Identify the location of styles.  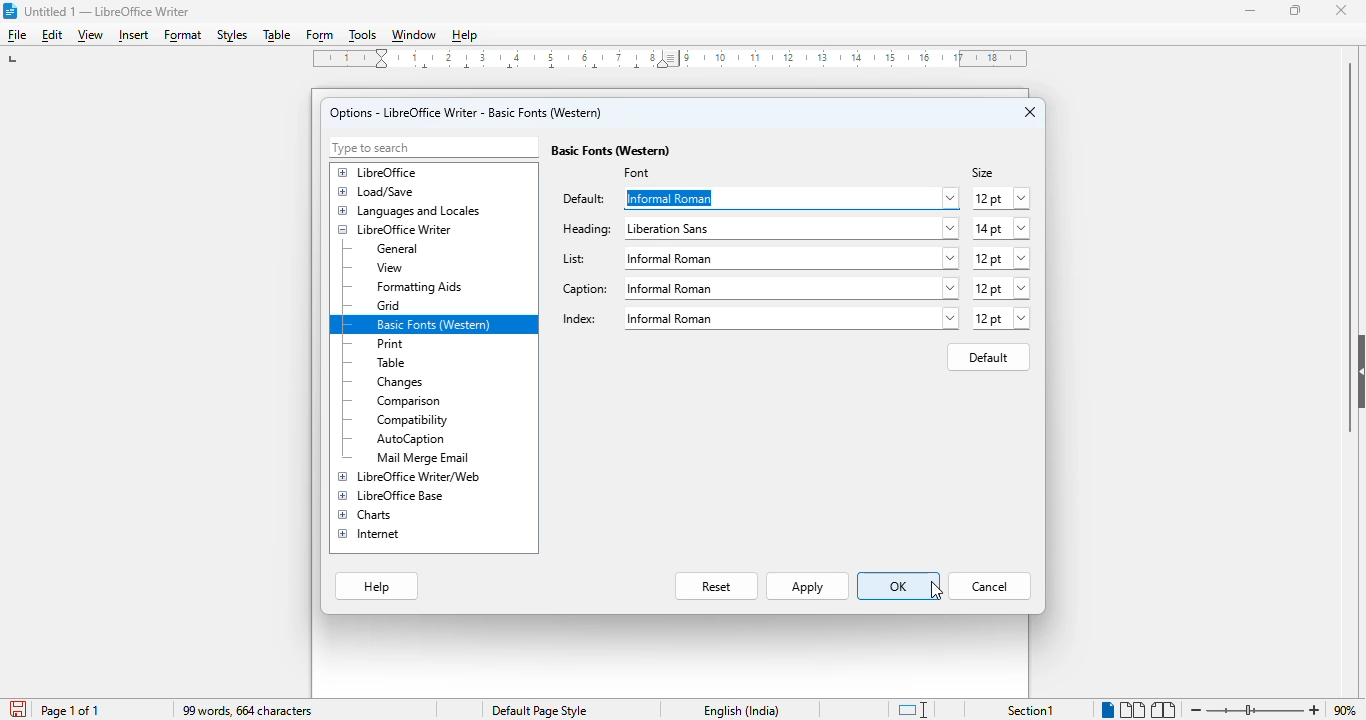
(233, 36).